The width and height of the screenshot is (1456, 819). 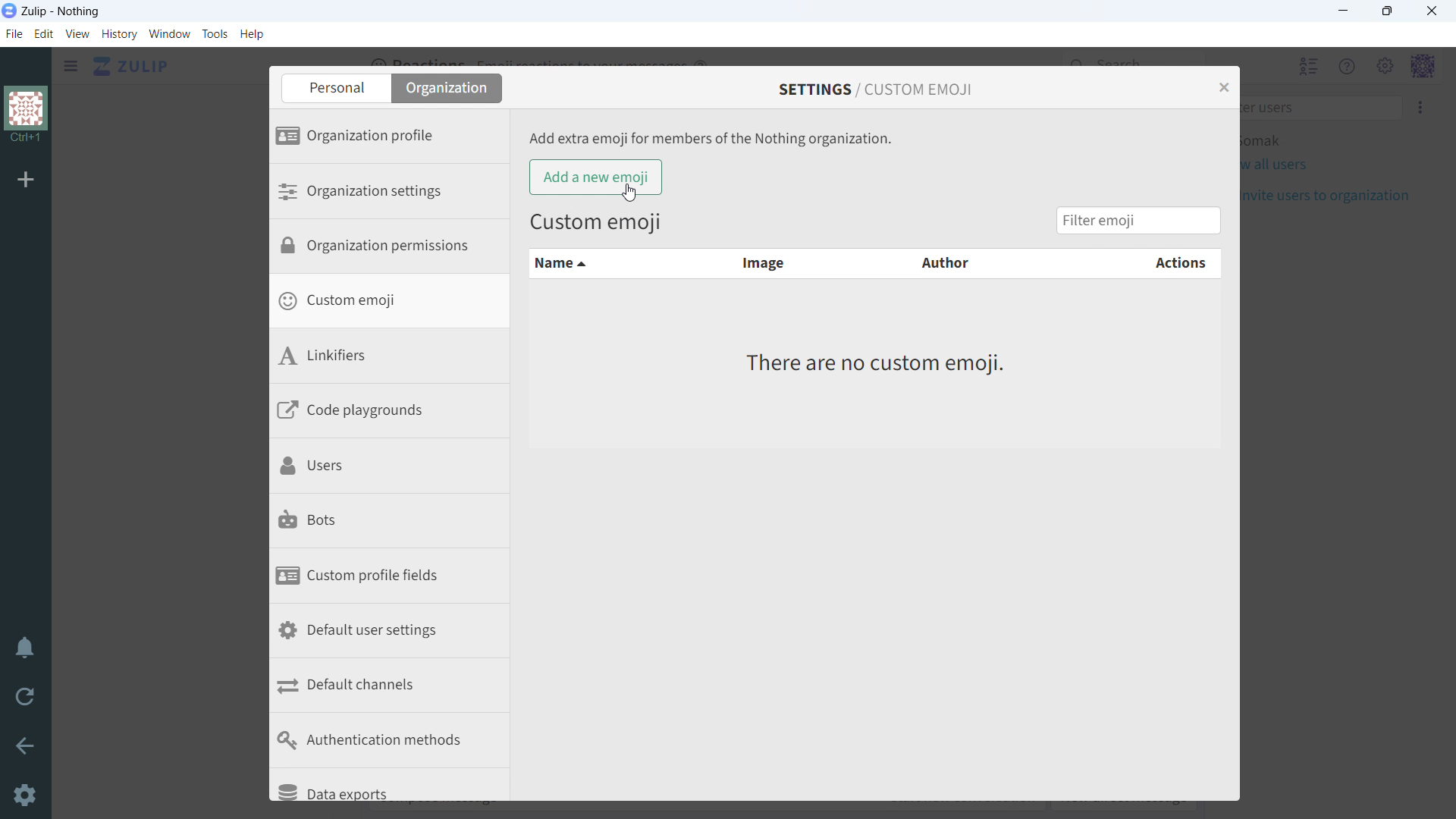 What do you see at coordinates (388, 249) in the screenshot?
I see `organization permissions` at bounding box center [388, 249].